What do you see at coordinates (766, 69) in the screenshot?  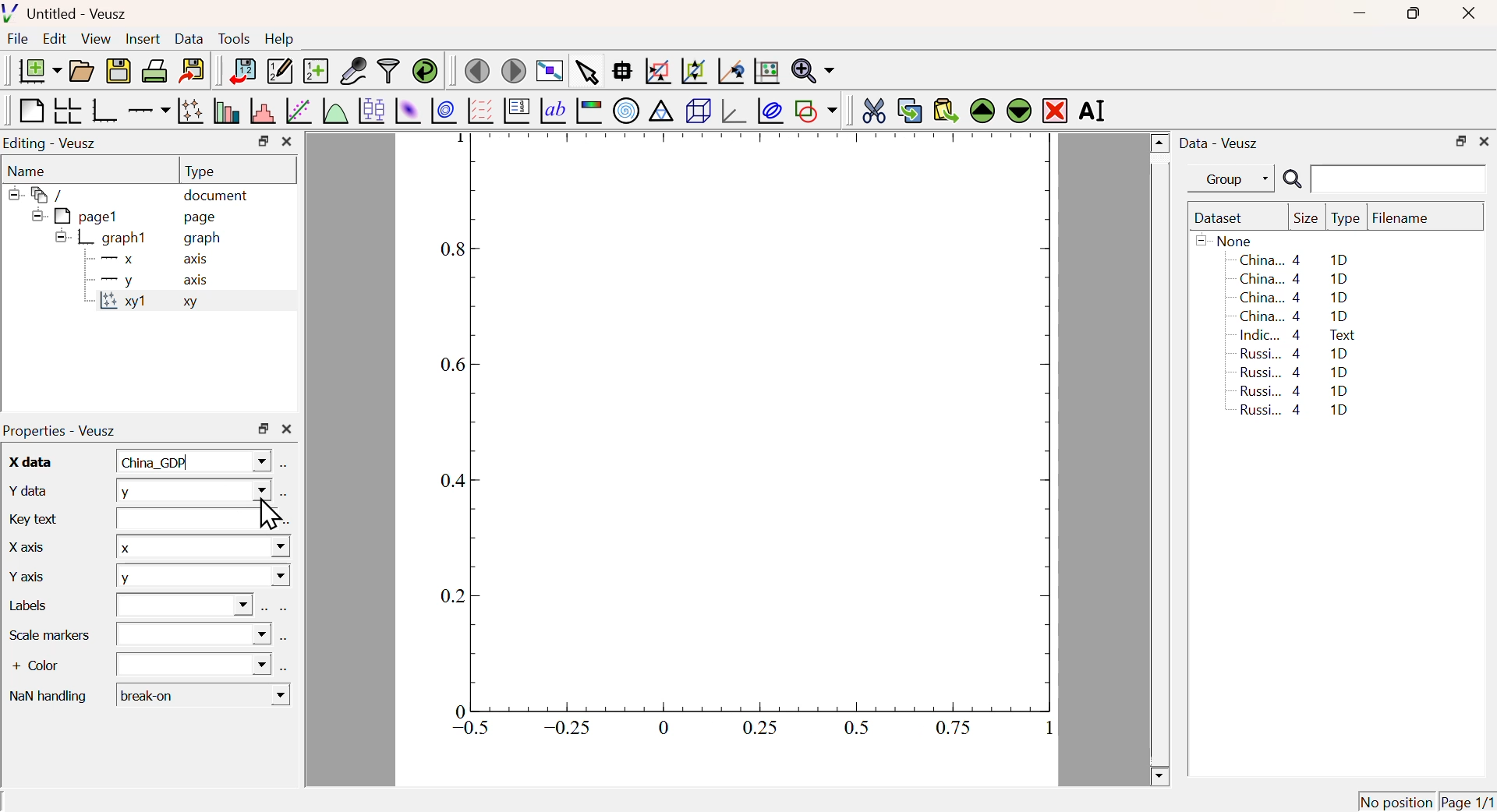 I see `Click to Reset Graph axis` at bounding box center [766, 69].